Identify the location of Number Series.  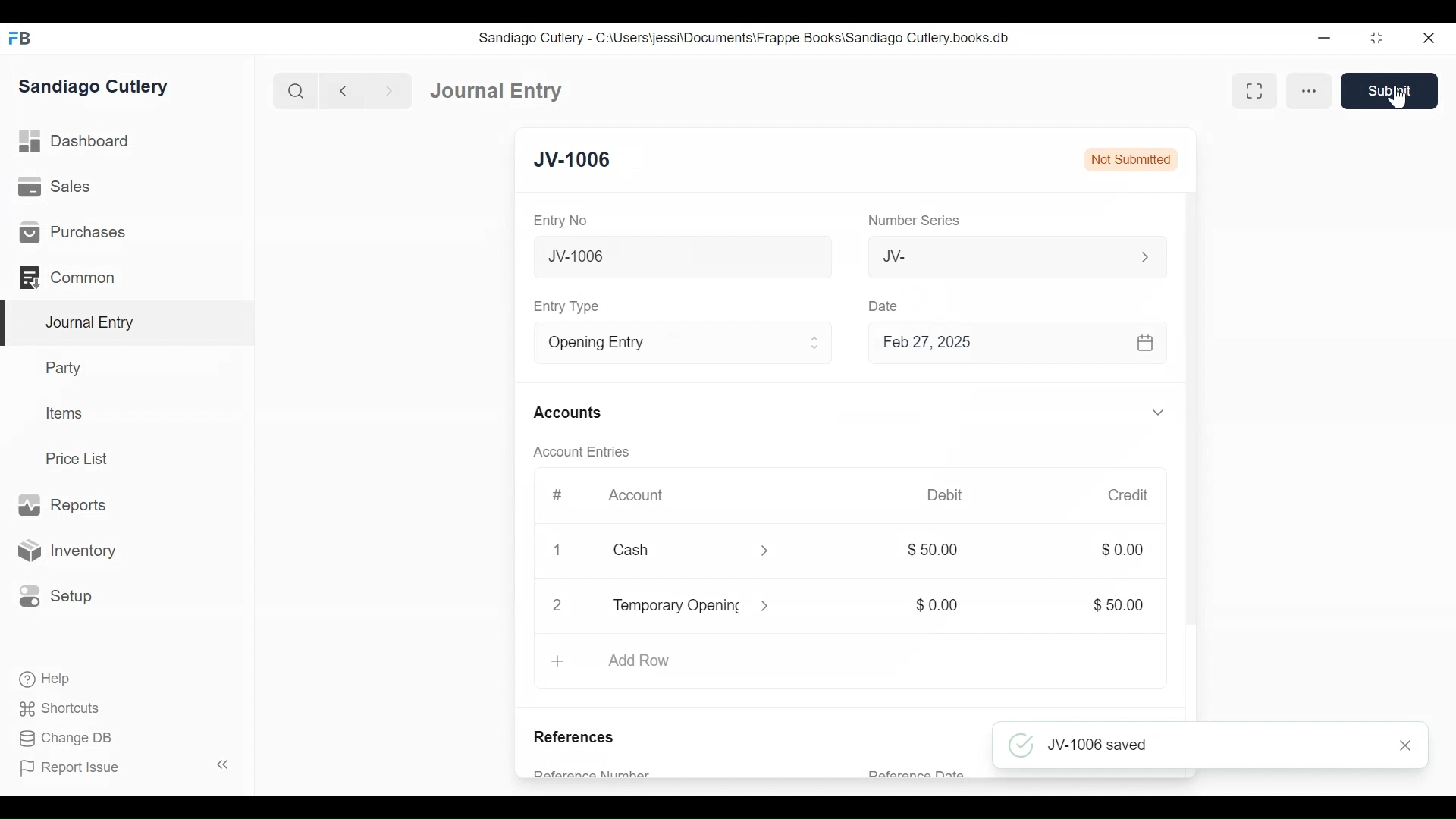
(912, 221).